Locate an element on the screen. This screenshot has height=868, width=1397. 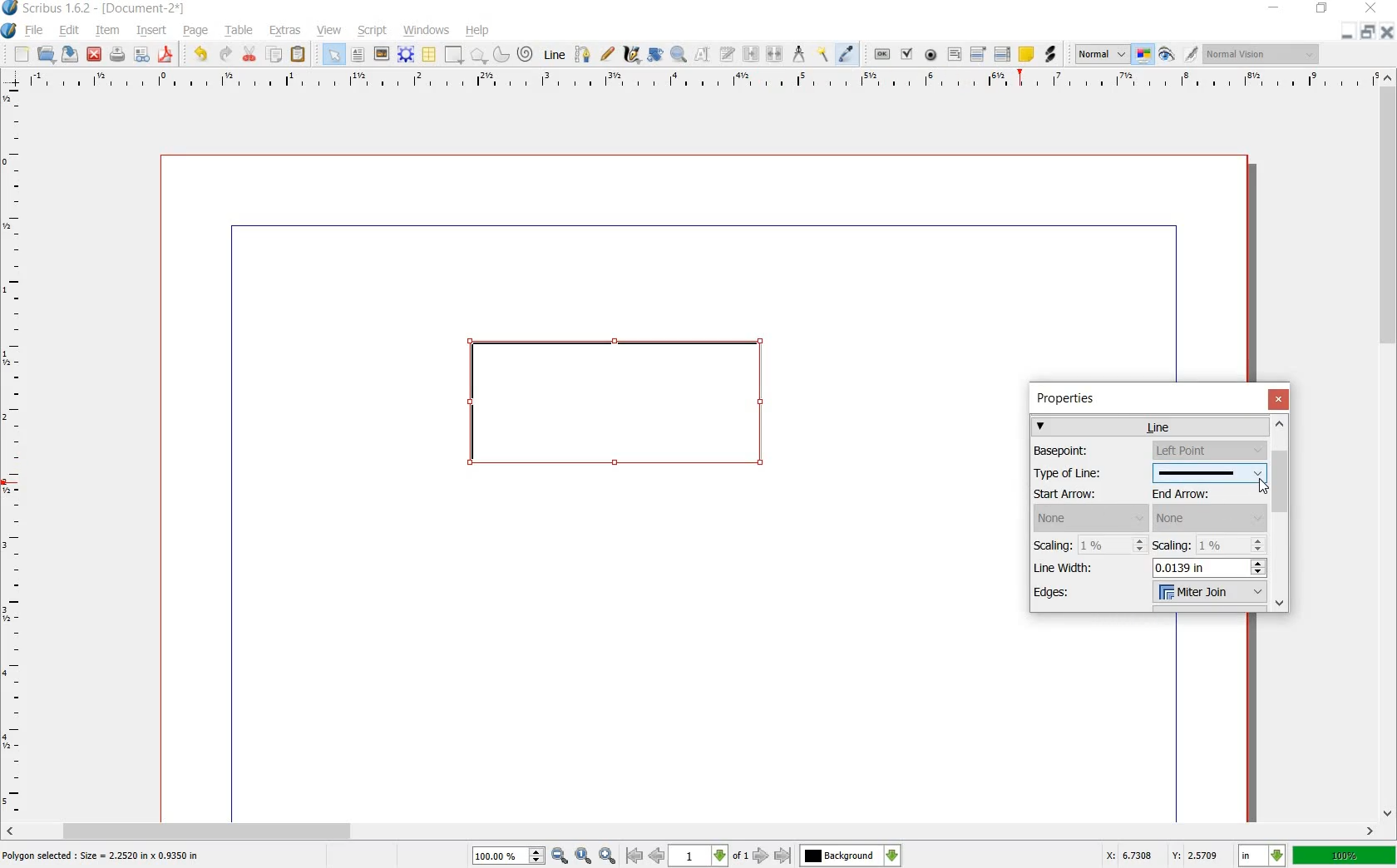
RULER is located at coordinates (14, 452).